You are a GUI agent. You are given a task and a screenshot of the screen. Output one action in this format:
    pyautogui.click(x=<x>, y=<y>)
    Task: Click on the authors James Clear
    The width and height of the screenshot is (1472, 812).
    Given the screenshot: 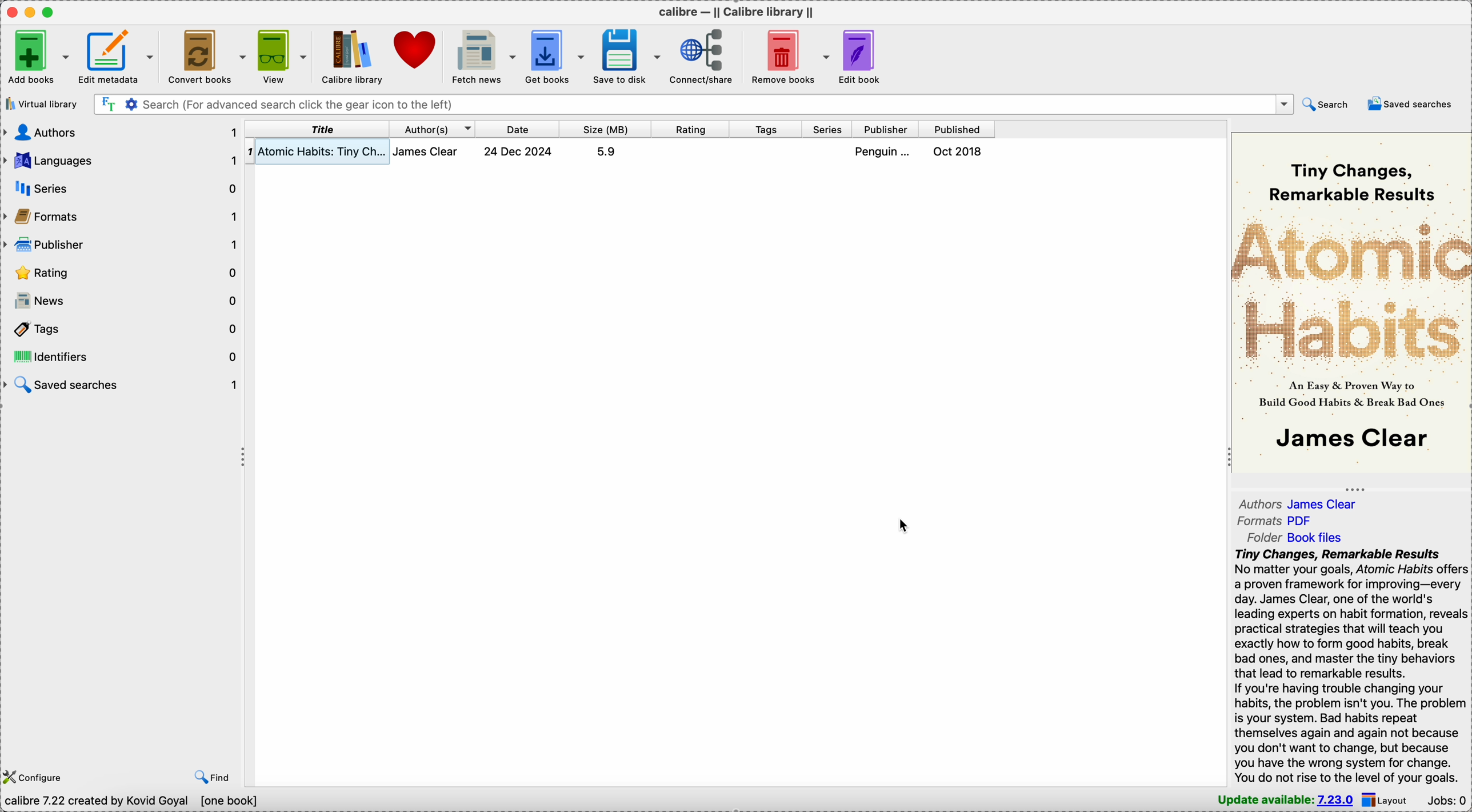 What is the action you would take?
    pyautogui.click(x=1304, y=502)
    